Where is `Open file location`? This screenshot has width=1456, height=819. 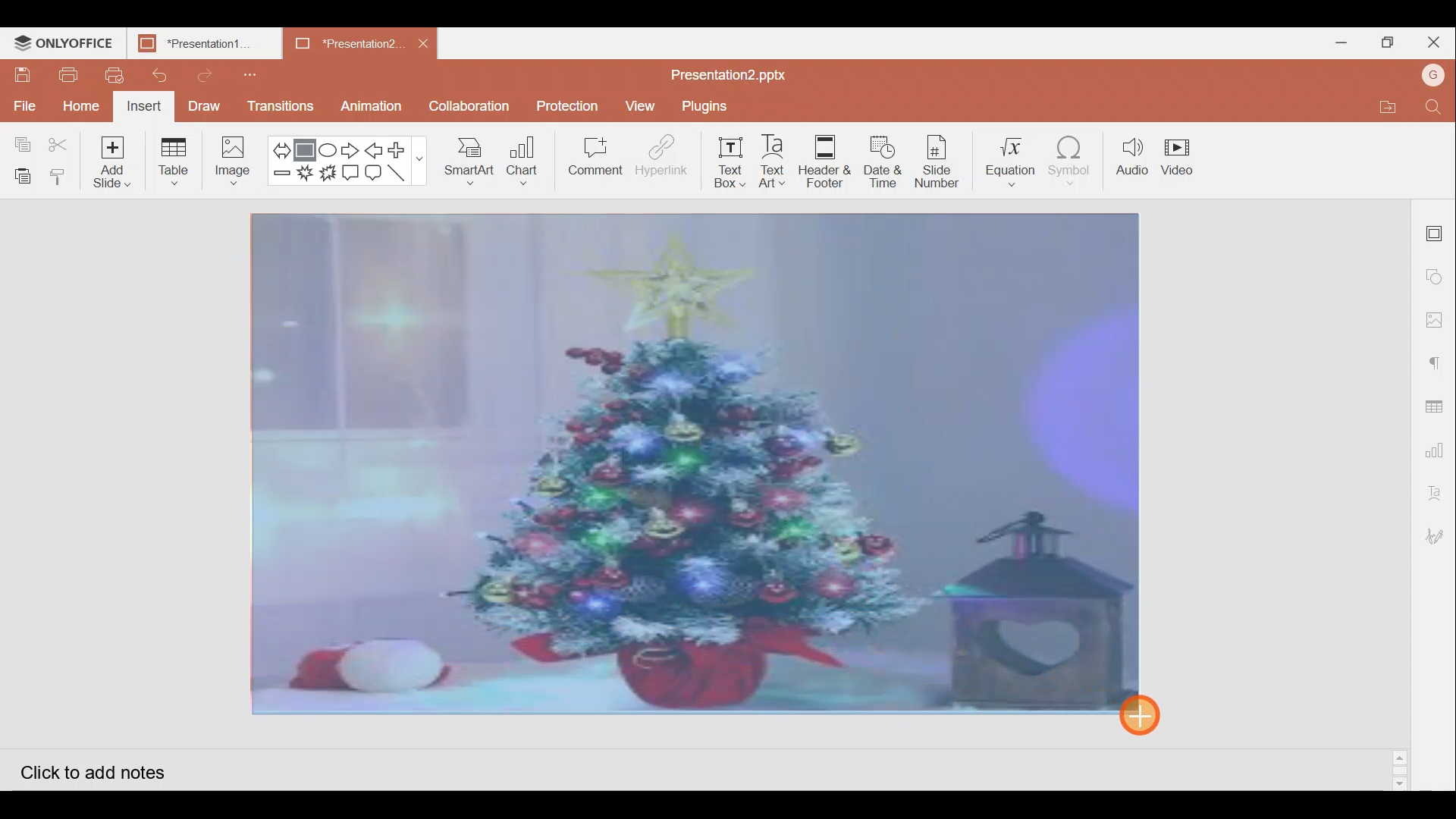 Open file location is located at coordinates (1393, 106).